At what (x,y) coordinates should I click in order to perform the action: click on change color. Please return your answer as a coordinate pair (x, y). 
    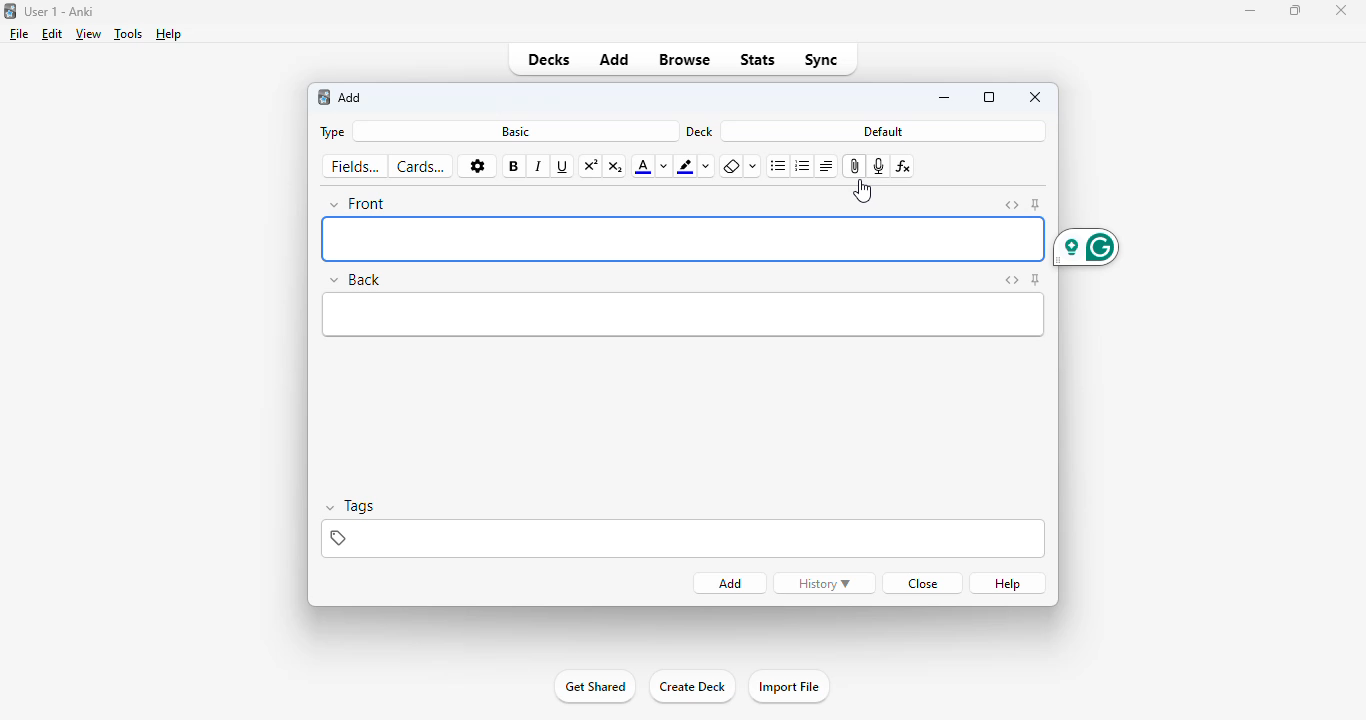
    Looking at the image, I should click on (664, 166).